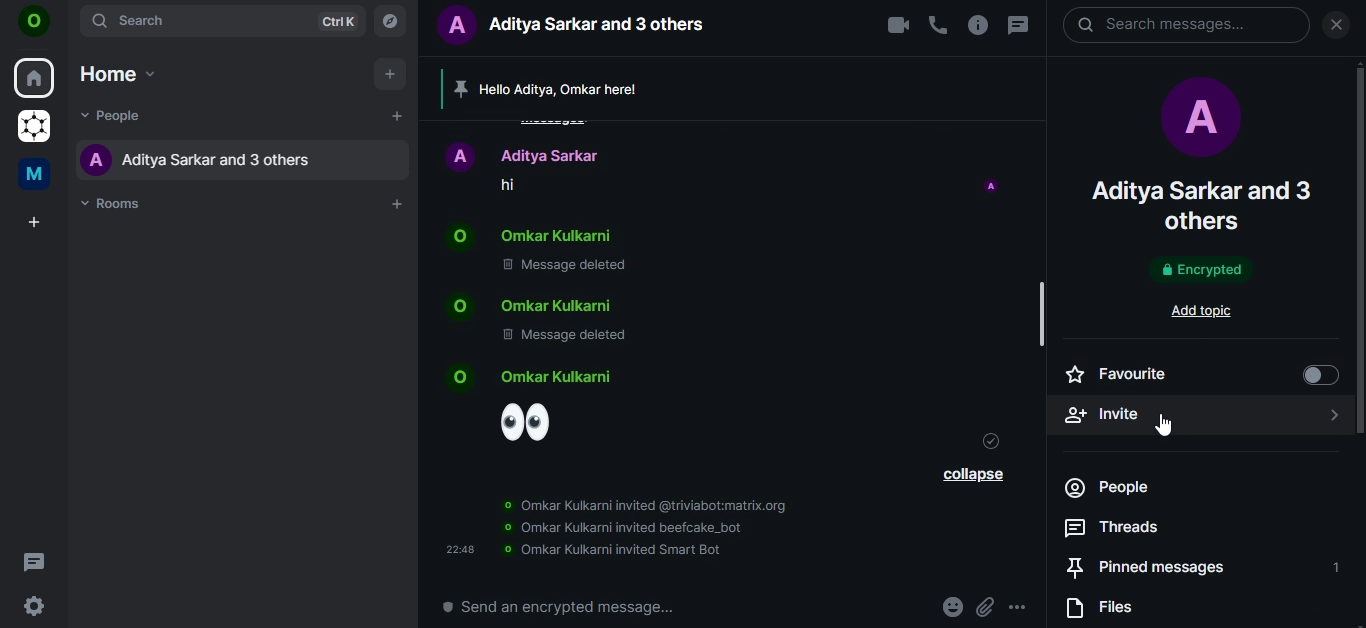 This screenshot has width=1366, height=628. What do you see at coordinates (1198, 412) in the screenshot?
I see `invite` at bounding box center [1198, 412].